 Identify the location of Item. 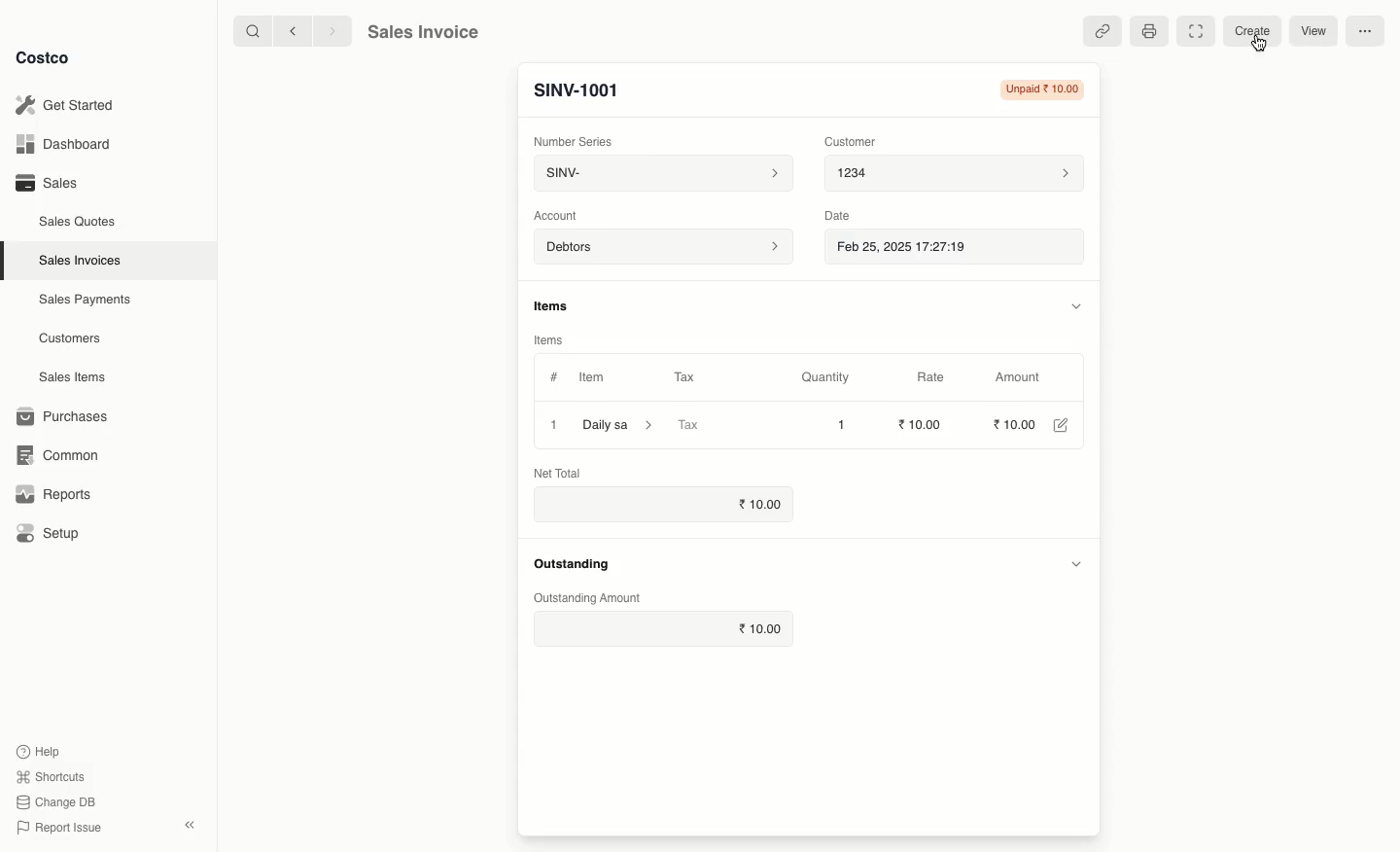
(594, 377).